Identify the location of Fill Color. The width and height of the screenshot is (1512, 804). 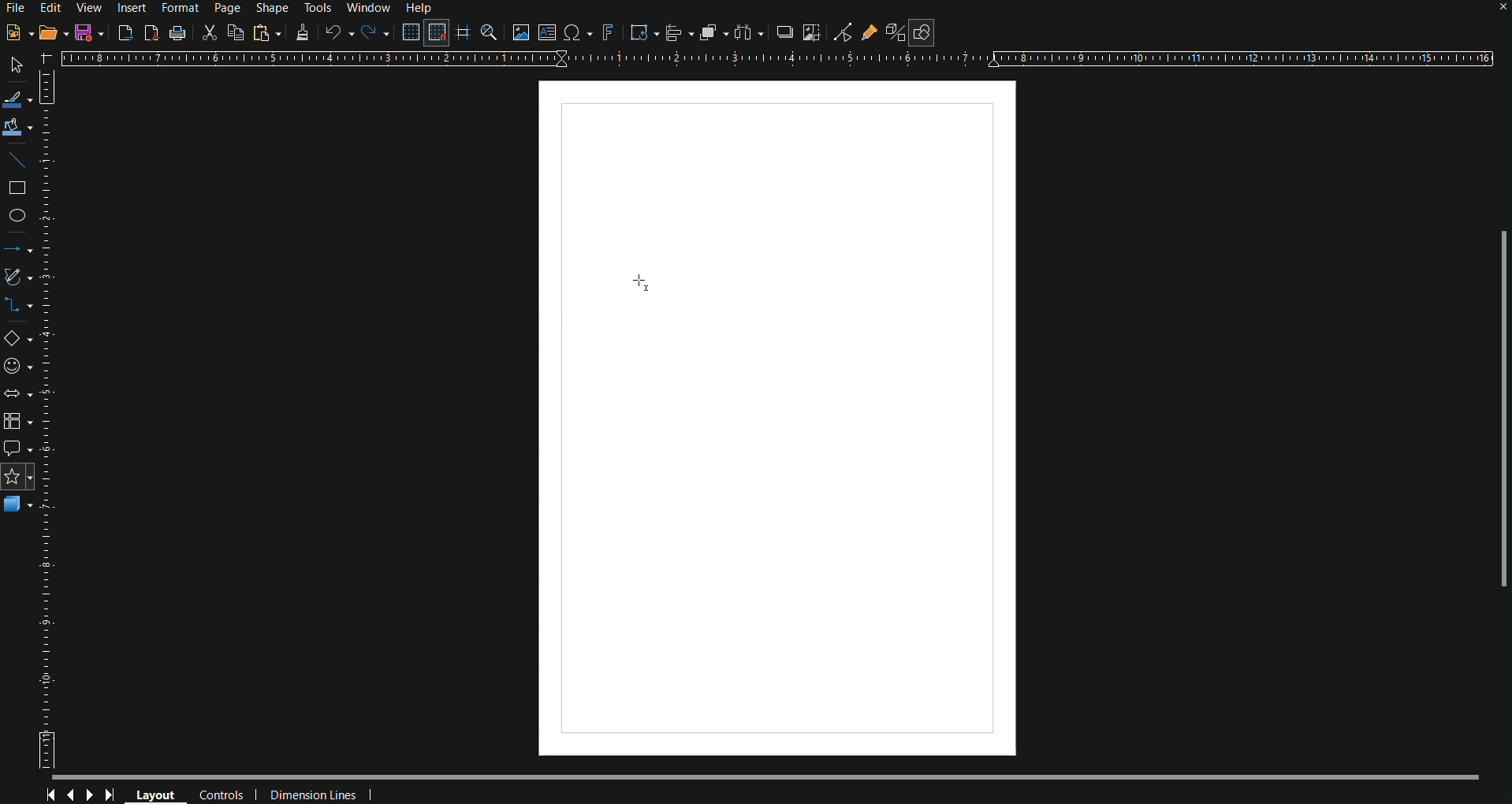
(18, 127).